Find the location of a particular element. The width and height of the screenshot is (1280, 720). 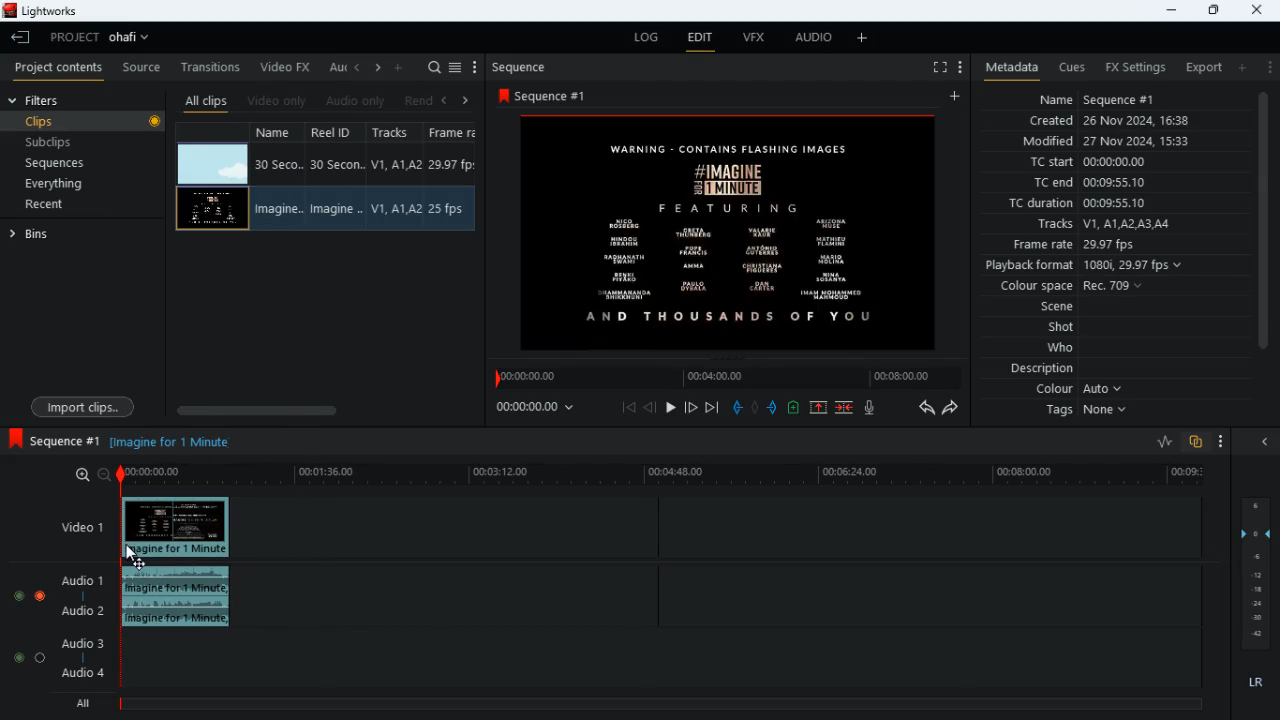

rate is located at coordinates (1157, 442).